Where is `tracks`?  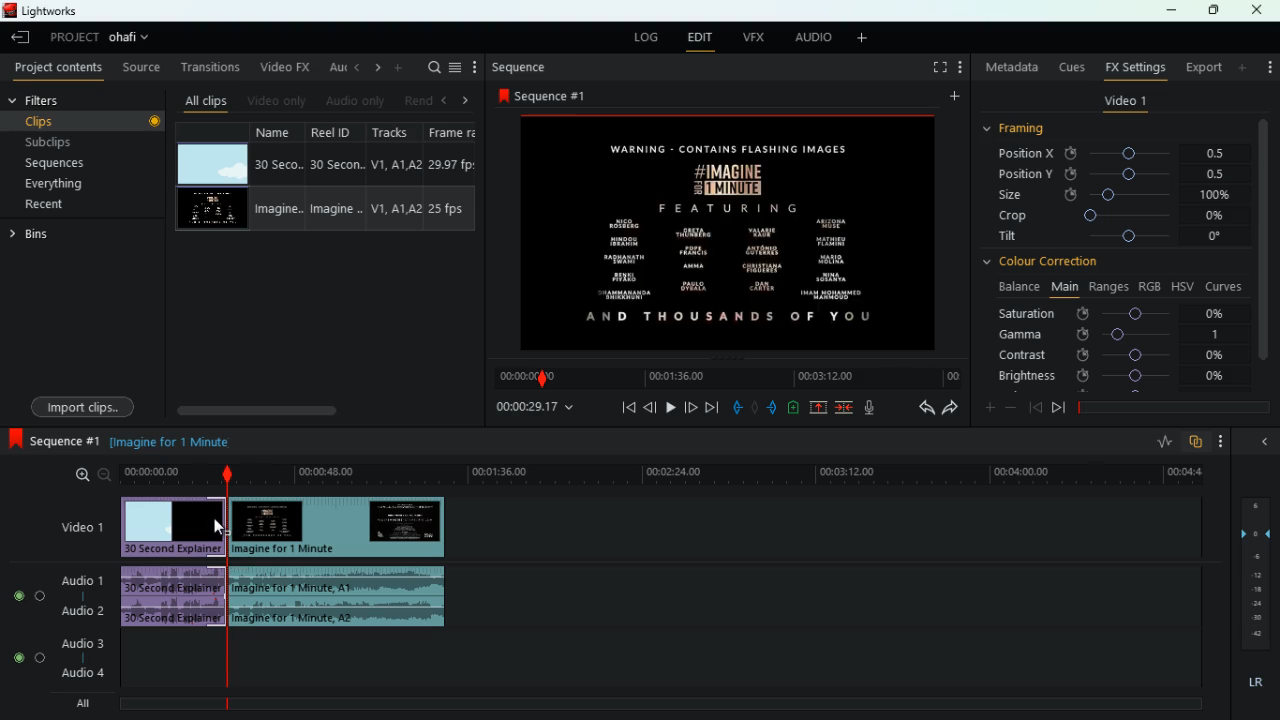 tracks is located at coordinates (396, 176).